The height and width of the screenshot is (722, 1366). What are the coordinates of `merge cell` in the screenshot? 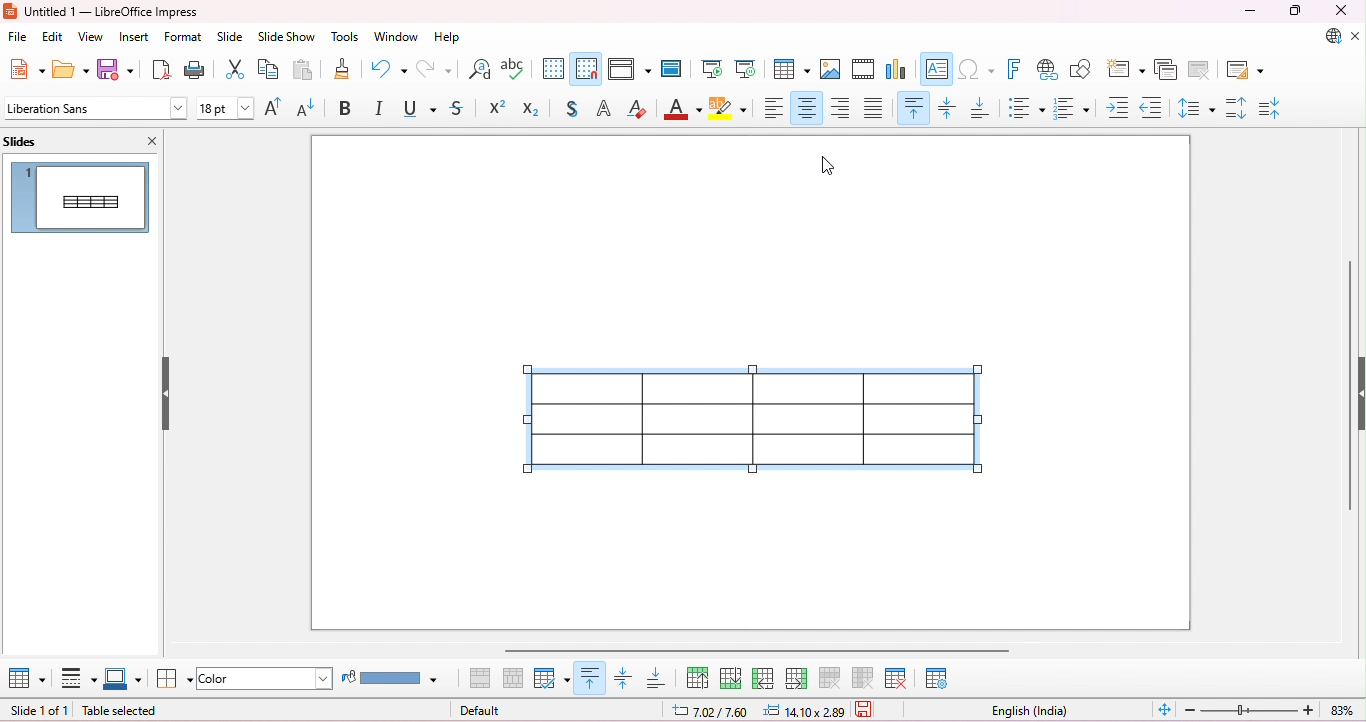 It's located at (482, 678).